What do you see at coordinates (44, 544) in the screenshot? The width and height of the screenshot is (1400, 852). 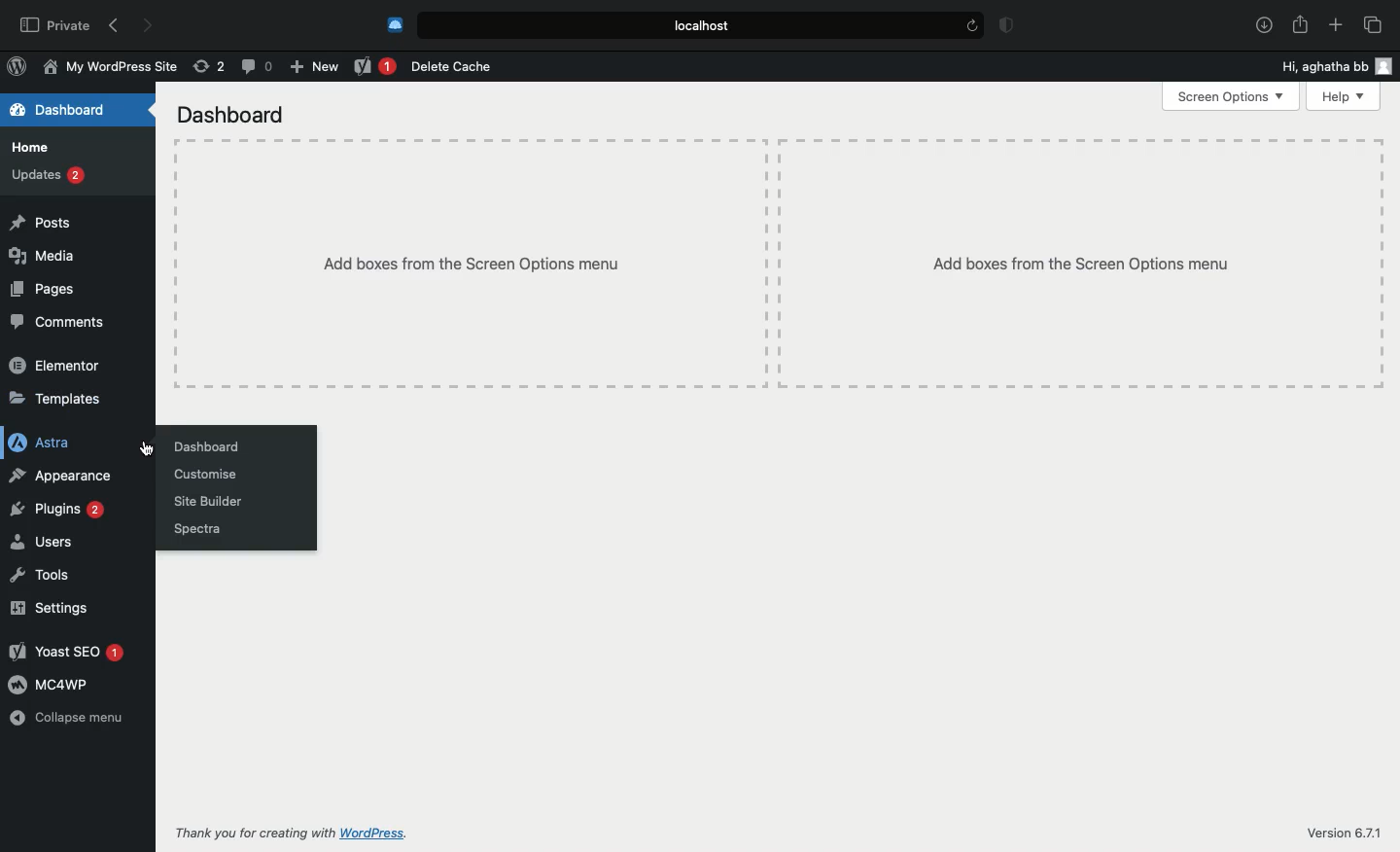 I see `Users` at bounding box center [44, 544].